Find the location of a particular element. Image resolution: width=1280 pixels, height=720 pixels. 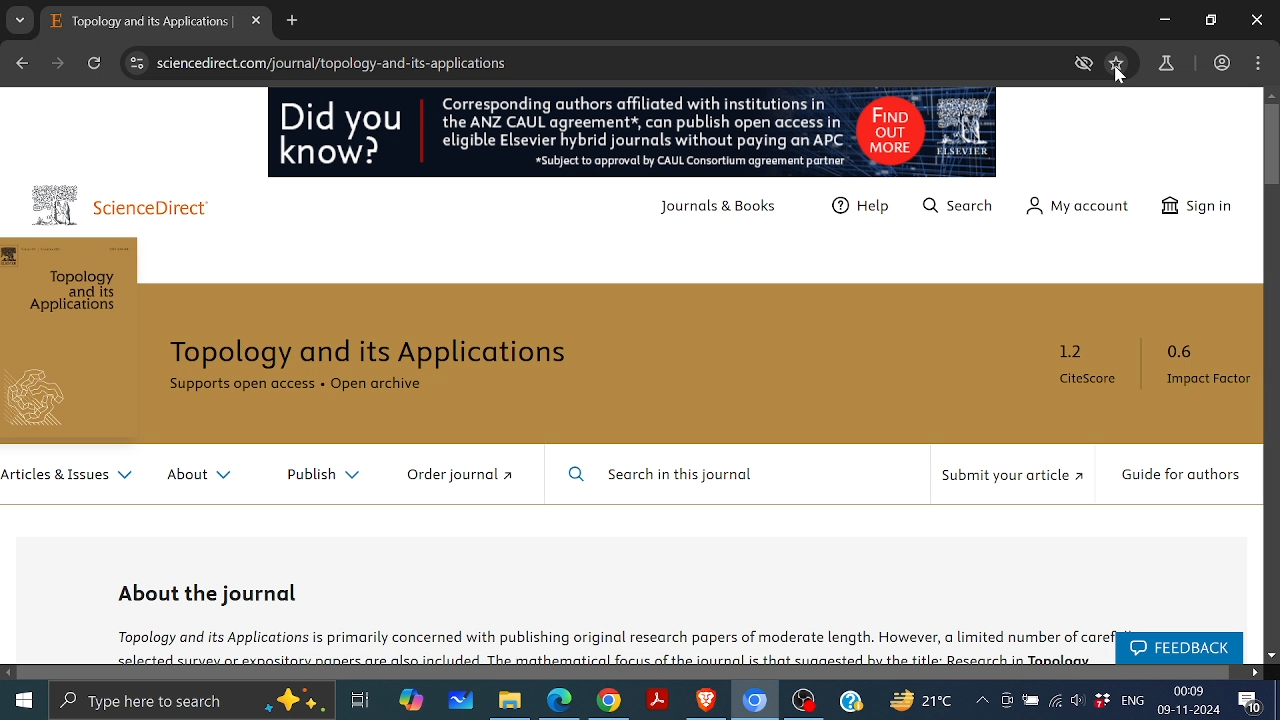

Did you know? is located at coordinates (344, 137).